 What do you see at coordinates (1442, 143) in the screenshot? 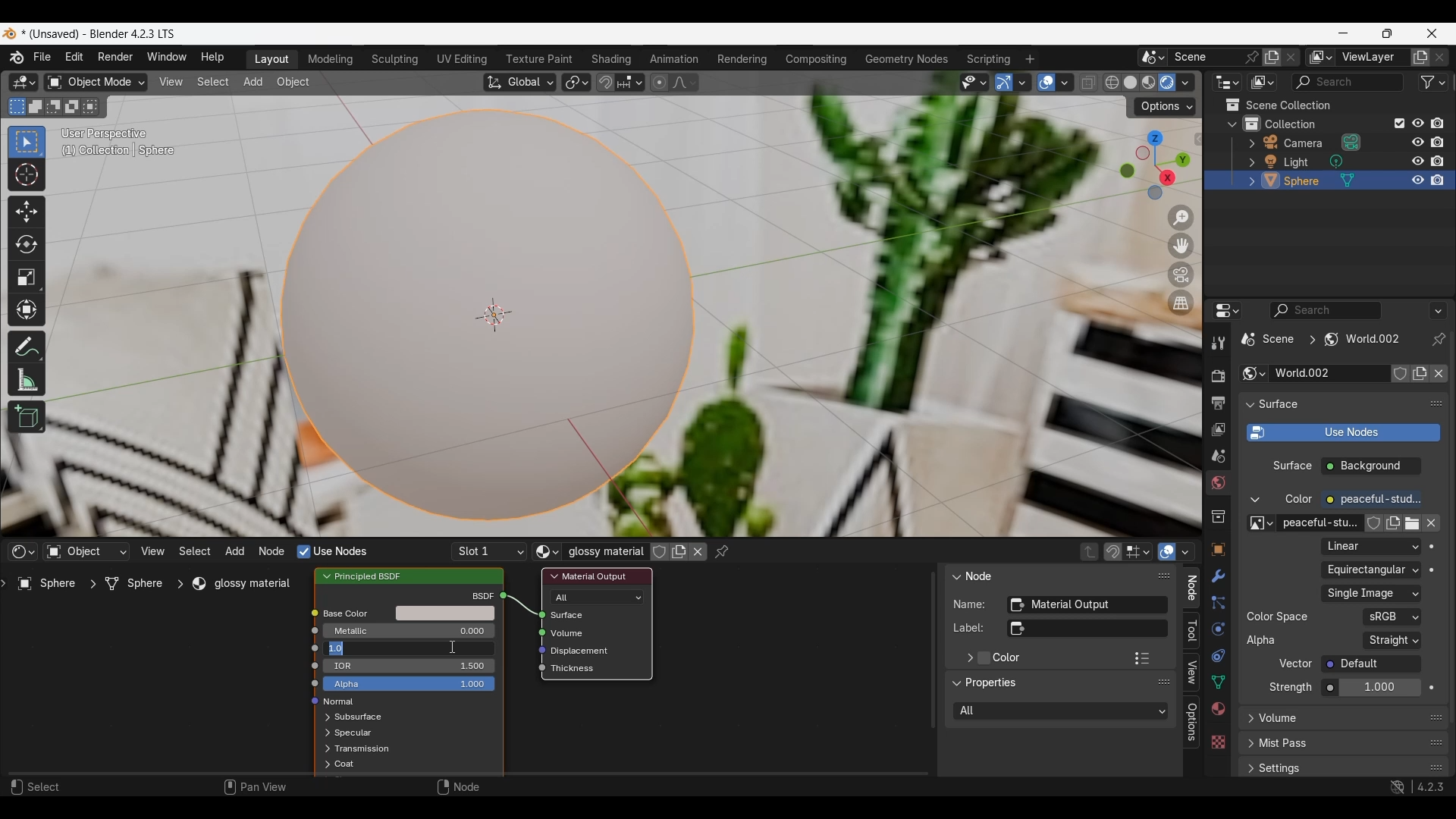
I see `disable all respective renders` at bounding box center [1442, 143].